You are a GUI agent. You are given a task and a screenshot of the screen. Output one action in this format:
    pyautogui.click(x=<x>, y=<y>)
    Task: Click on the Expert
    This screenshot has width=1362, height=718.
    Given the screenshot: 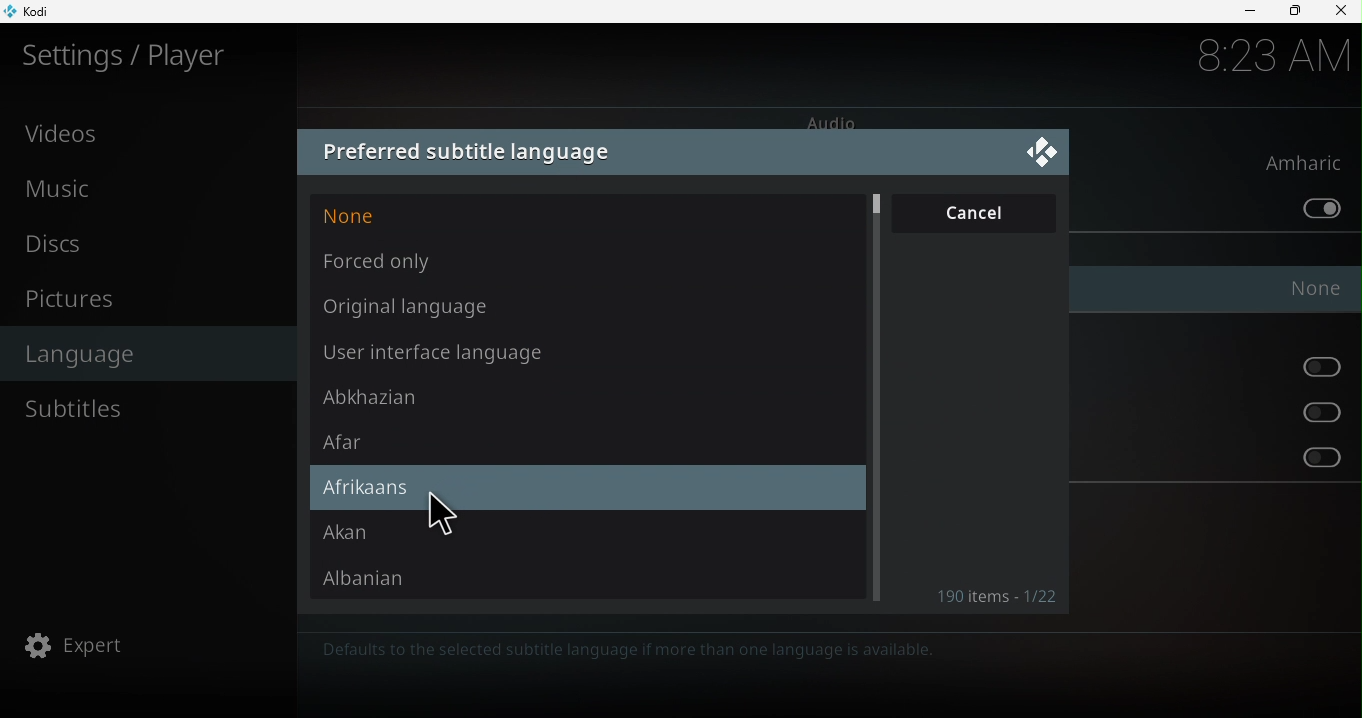 What is the action you would take?
    pyautogui.click(x=142, y=647)
    